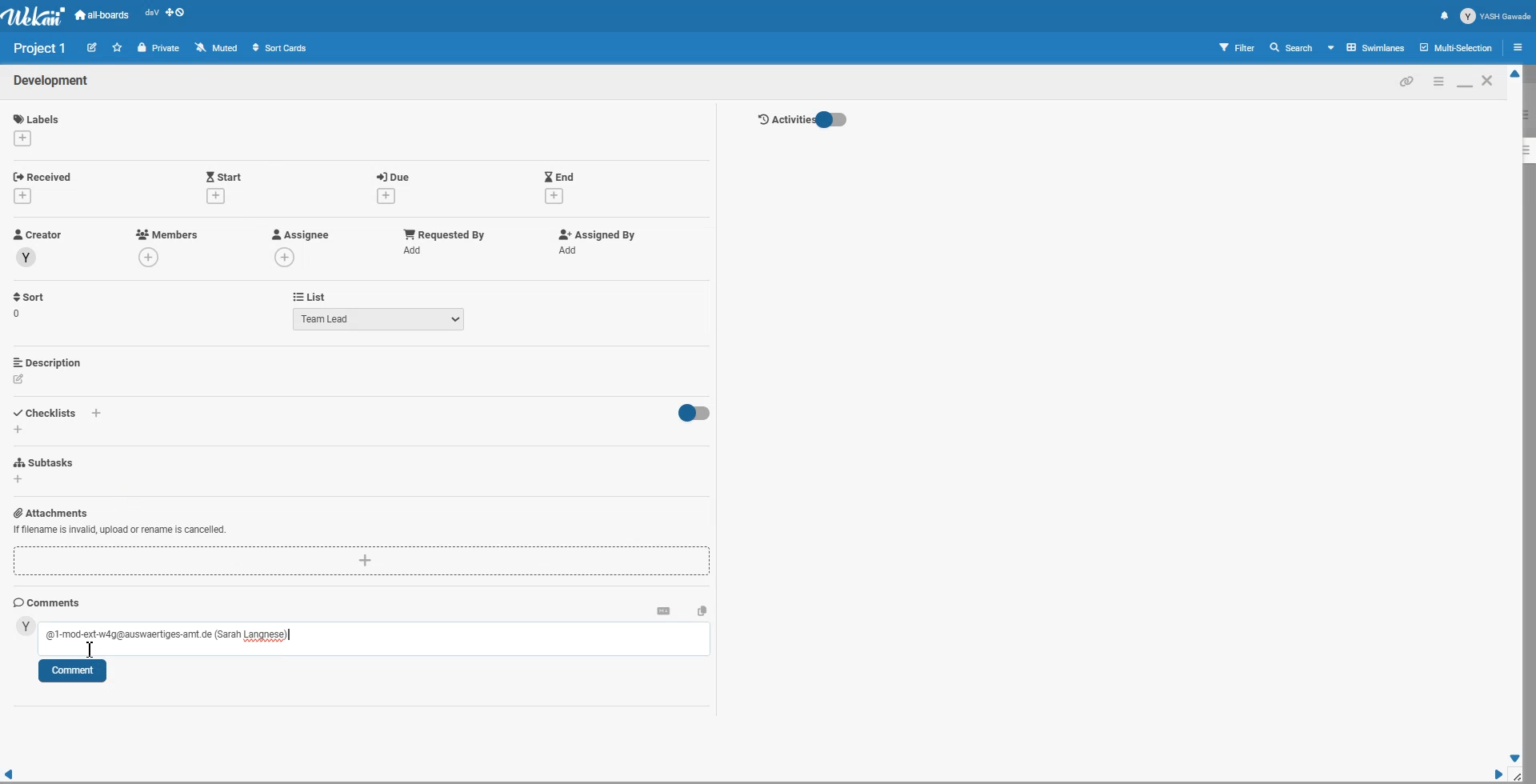 The width and height of the screenshot is (1536, 784). What do you see at coordinates (571, 250) in the screenshot?
I see `add` at bounding box center [571, 250].